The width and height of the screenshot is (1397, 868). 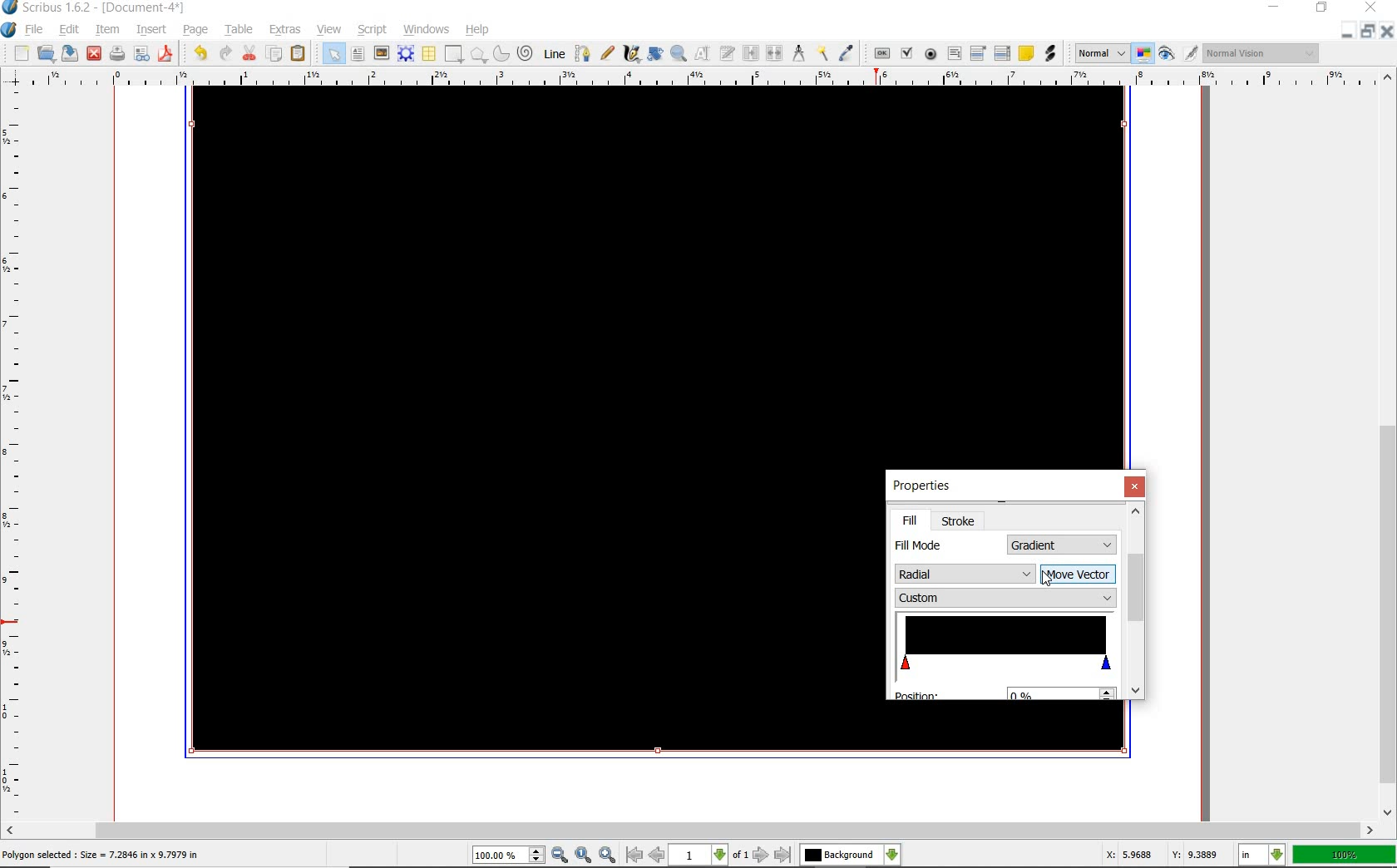 I want to click on system icon, so click(x=9, y=29).